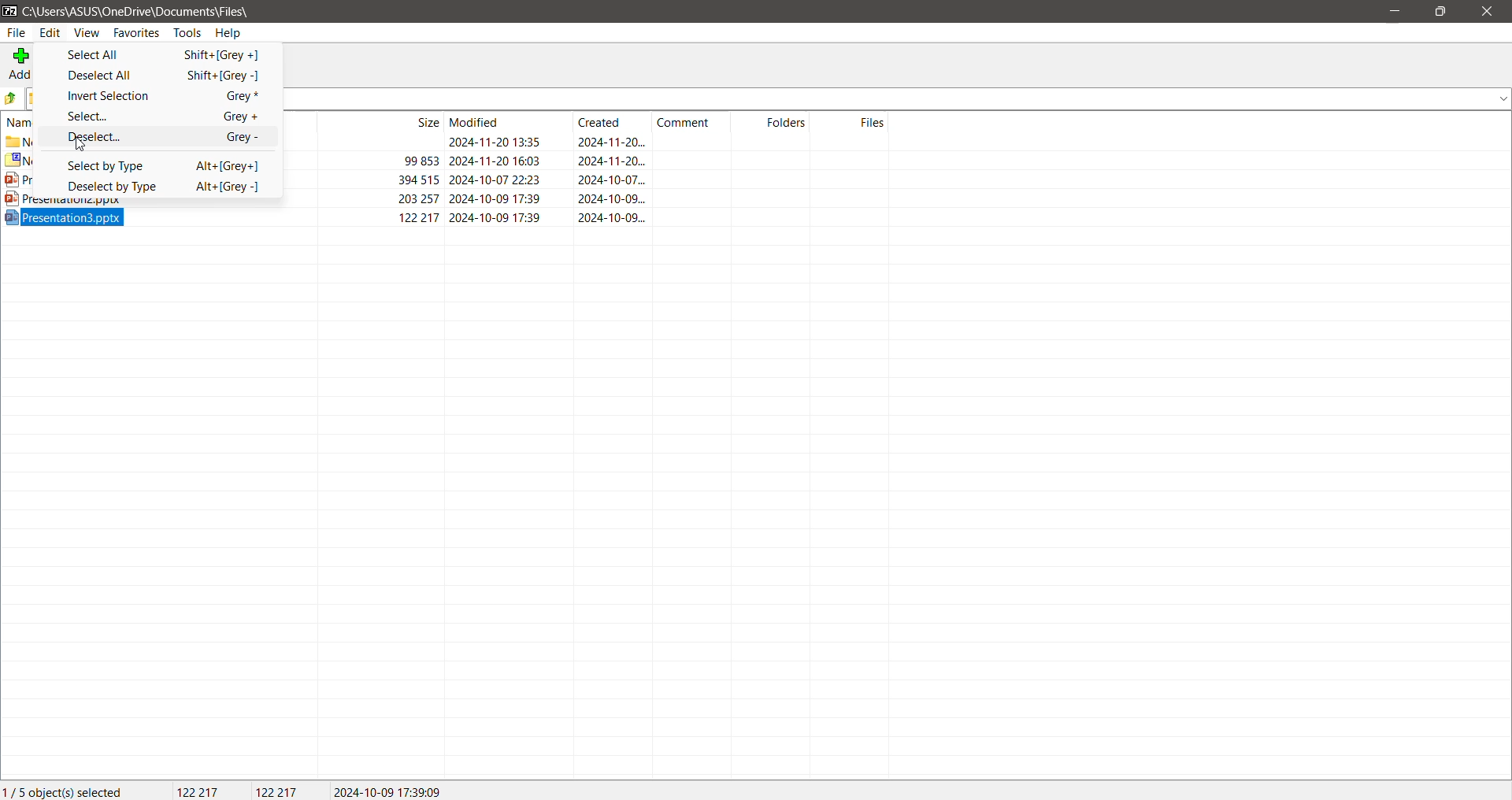  What do you see at coordinates (9, 9) in the screenshot?
I see `Application Logo` at bounding box center [9, 9].